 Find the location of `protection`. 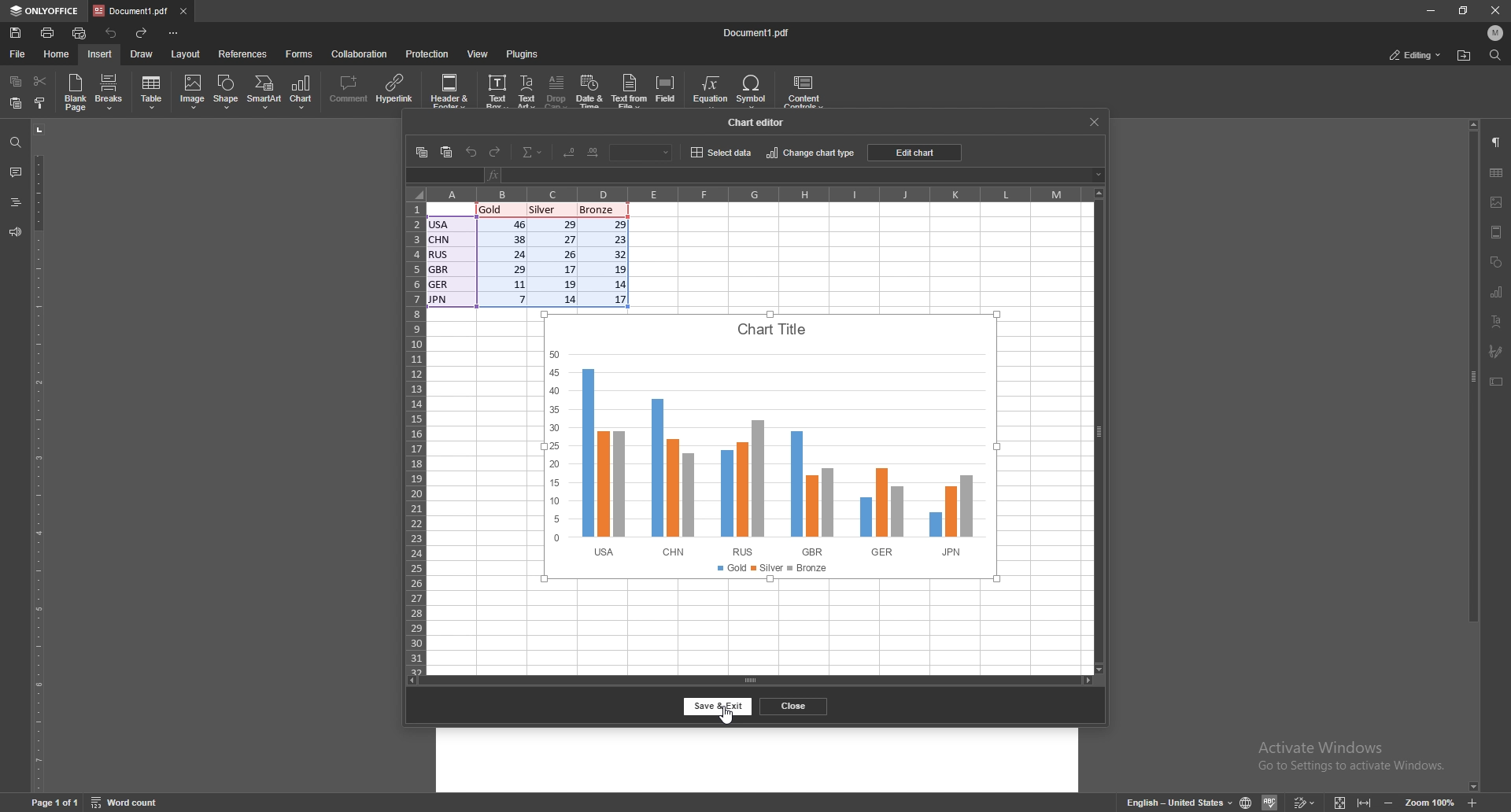

protection is located at coordinates (427, 54).